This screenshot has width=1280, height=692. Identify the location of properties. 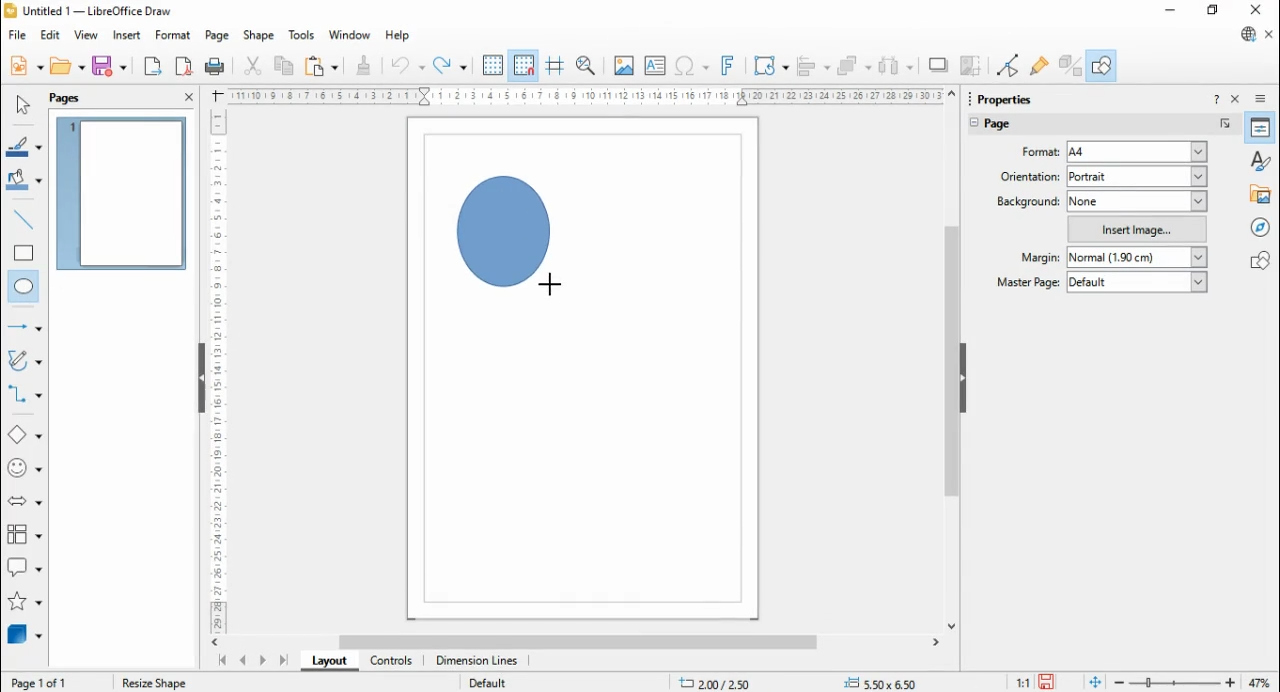
(1014, 97).